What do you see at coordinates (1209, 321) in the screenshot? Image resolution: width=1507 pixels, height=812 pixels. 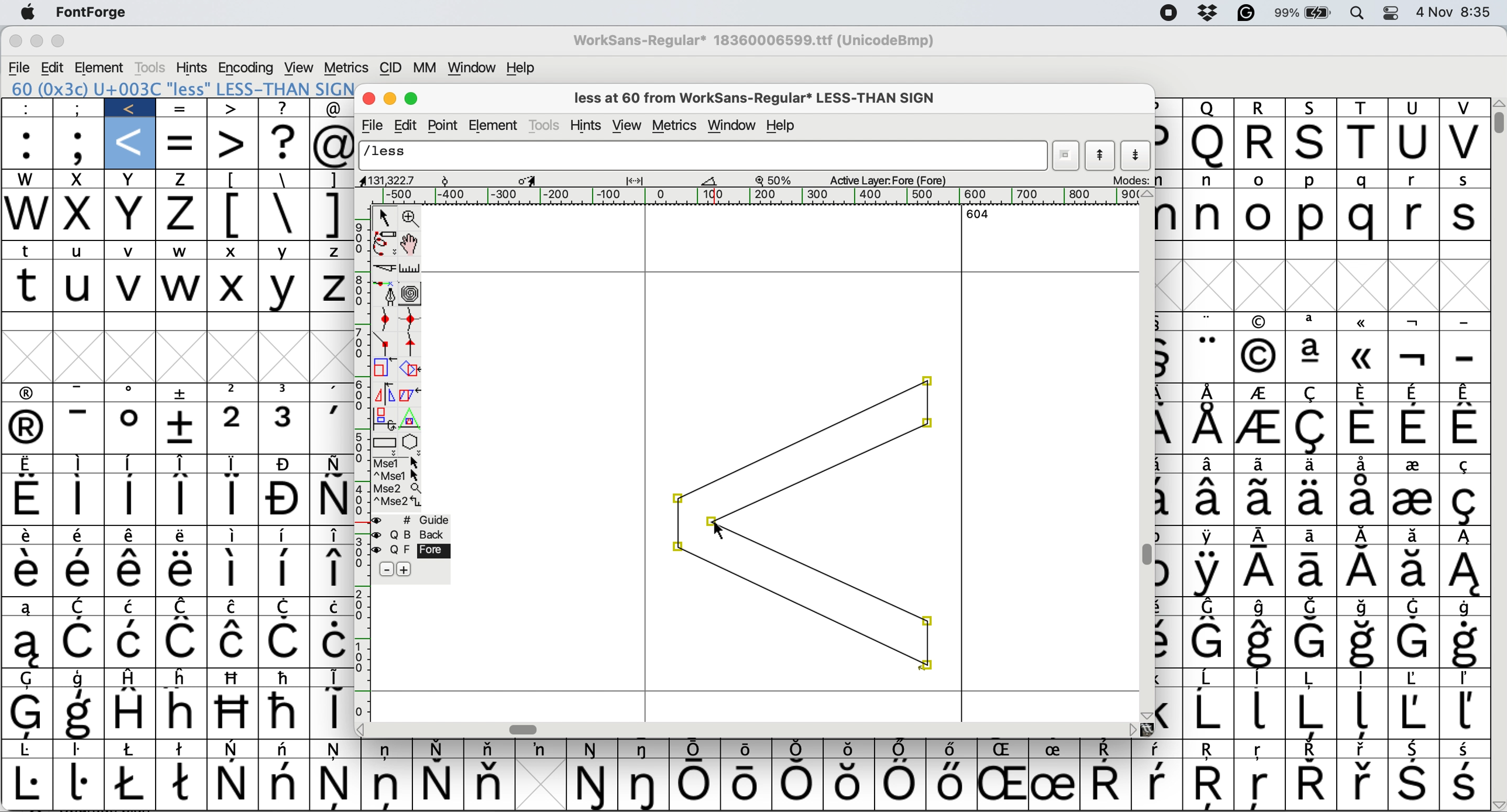 I see `Symbol` at bounding box center [1209, 321].